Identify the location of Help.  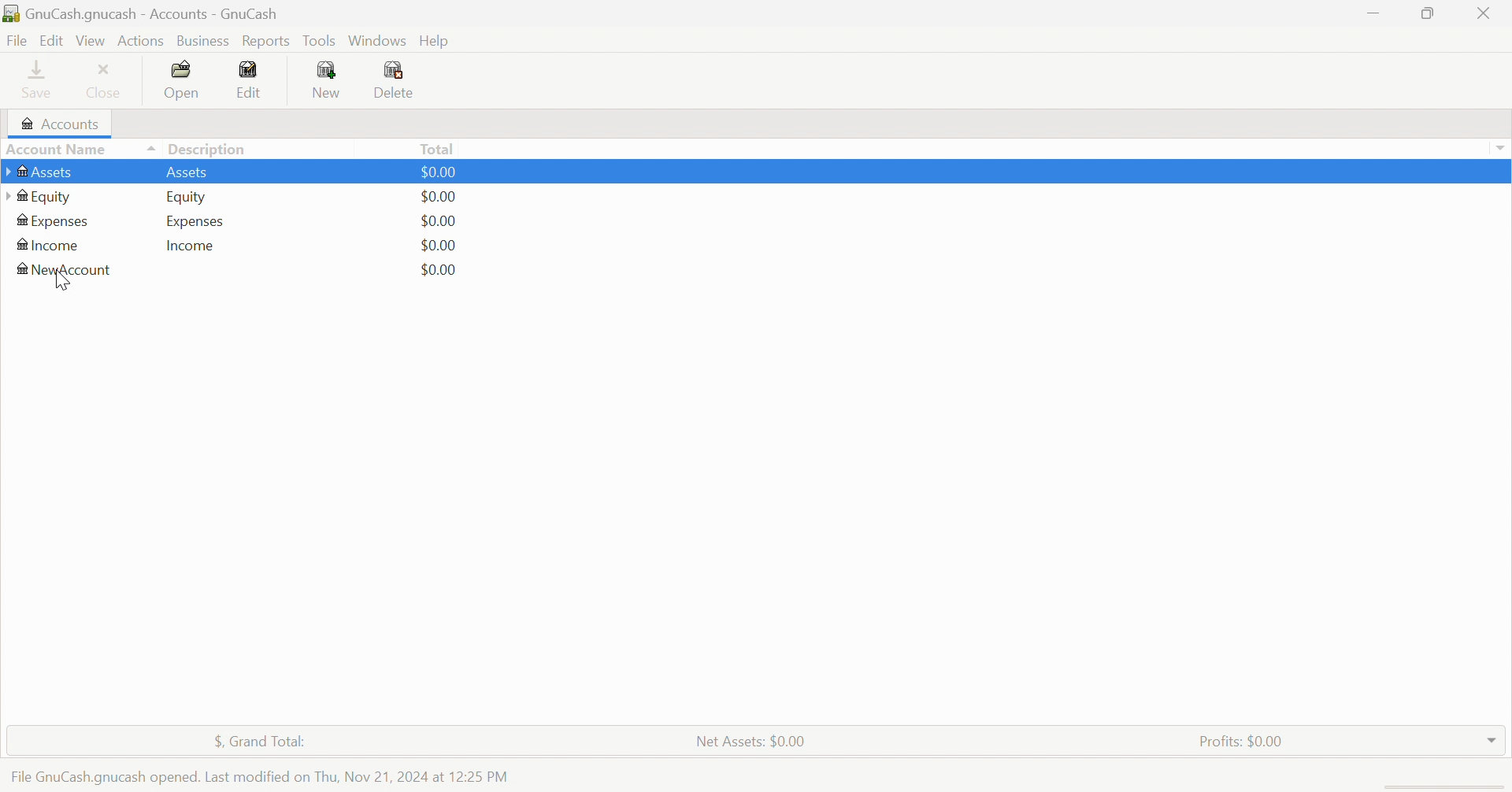
(436, 42).